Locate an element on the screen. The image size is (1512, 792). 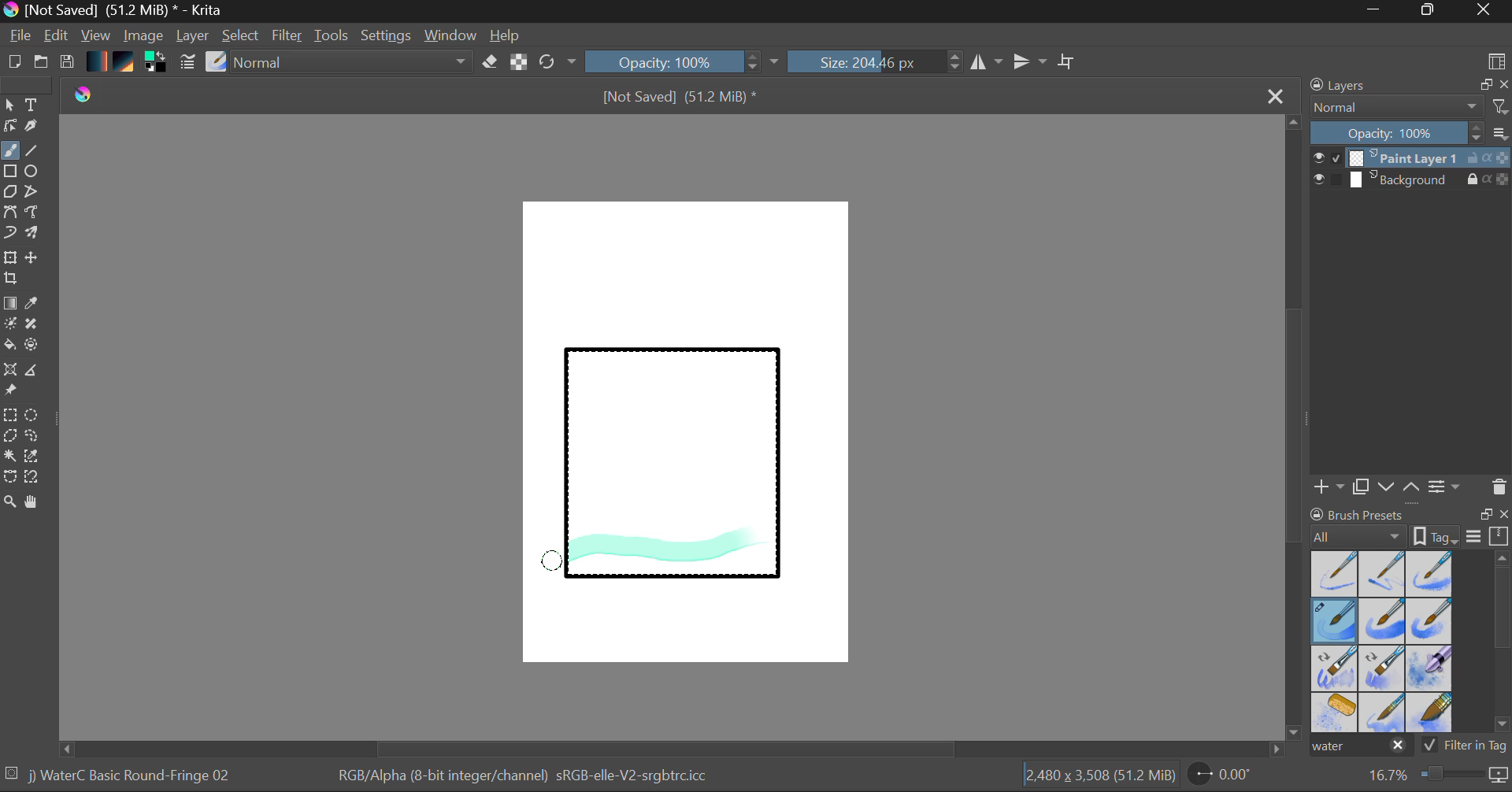
Paintbrush is located at coordinates (9, 152).